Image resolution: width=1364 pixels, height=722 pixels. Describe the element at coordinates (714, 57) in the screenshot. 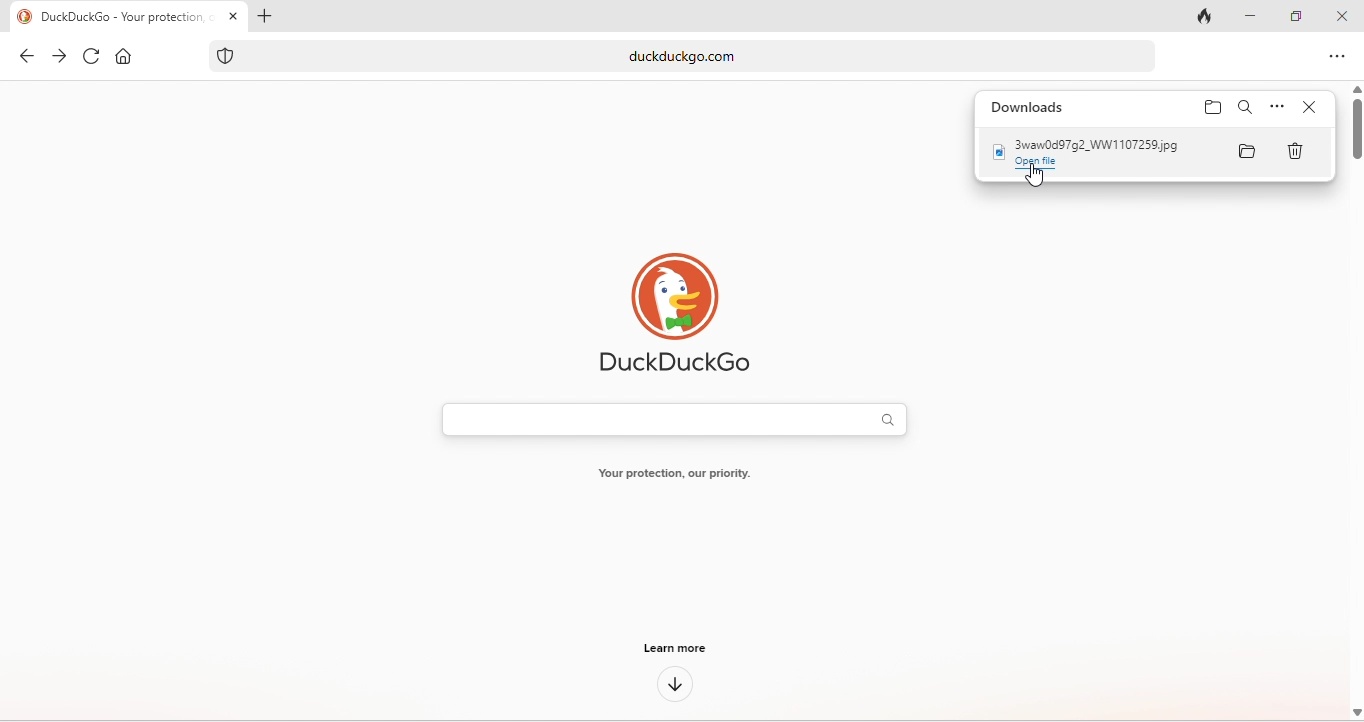

I see `duckduckgo.com` at that location.